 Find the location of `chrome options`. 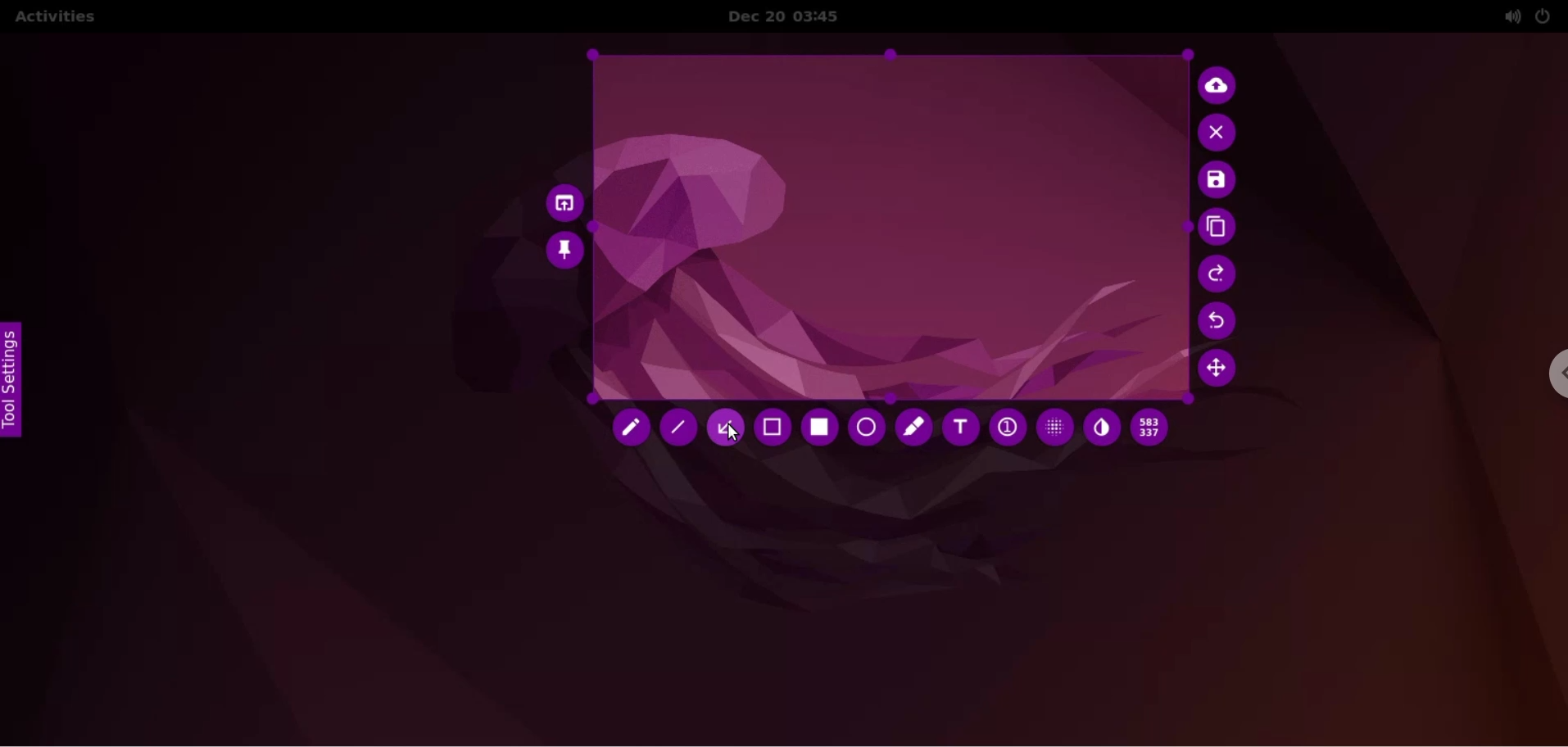

chrome options is located at coordinates (1548, 378).